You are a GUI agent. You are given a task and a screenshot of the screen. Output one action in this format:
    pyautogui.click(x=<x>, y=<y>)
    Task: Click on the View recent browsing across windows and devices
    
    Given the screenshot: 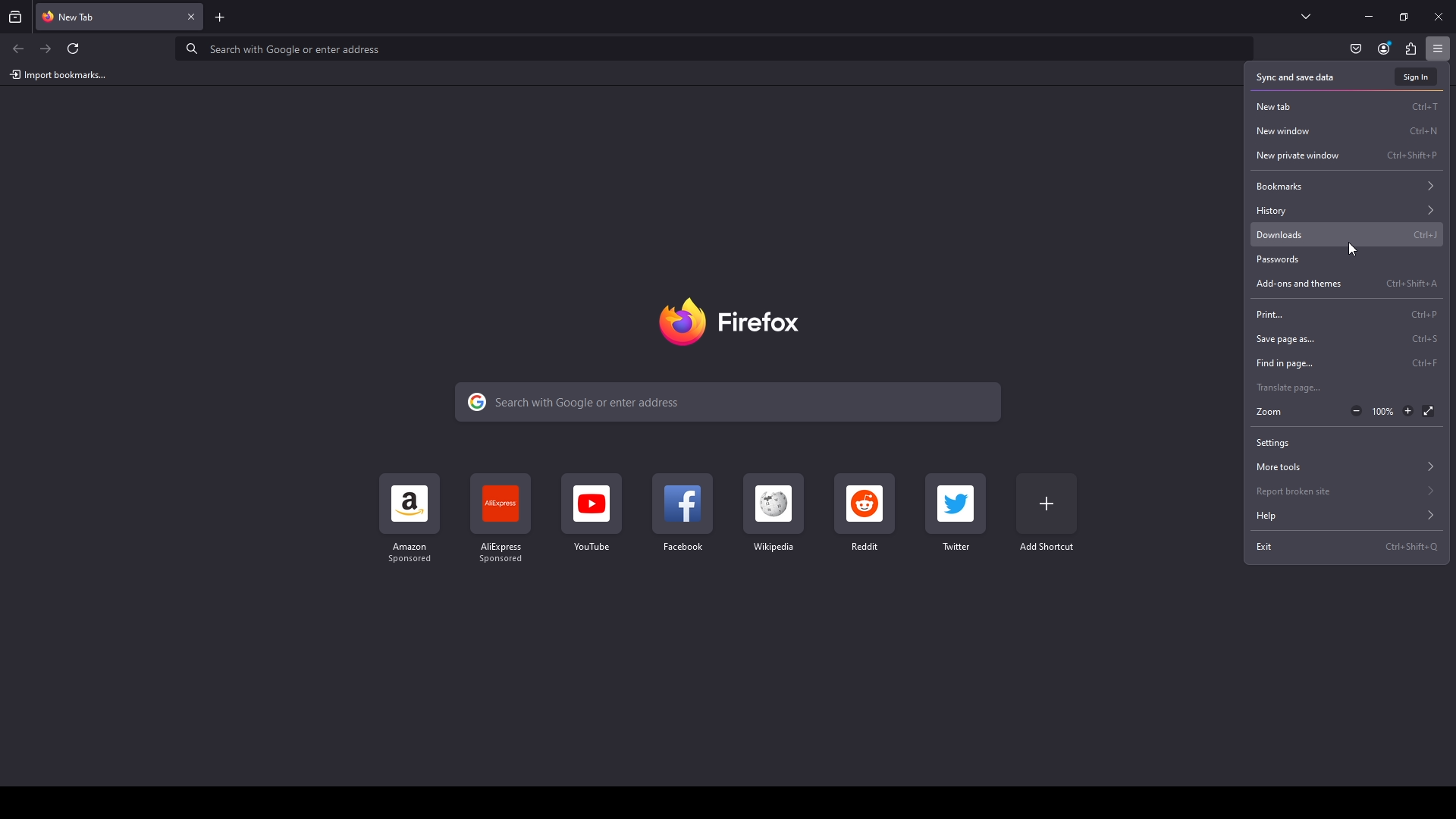 What is the action you would take?
    pyautogui.click(x=17, y=17)
    